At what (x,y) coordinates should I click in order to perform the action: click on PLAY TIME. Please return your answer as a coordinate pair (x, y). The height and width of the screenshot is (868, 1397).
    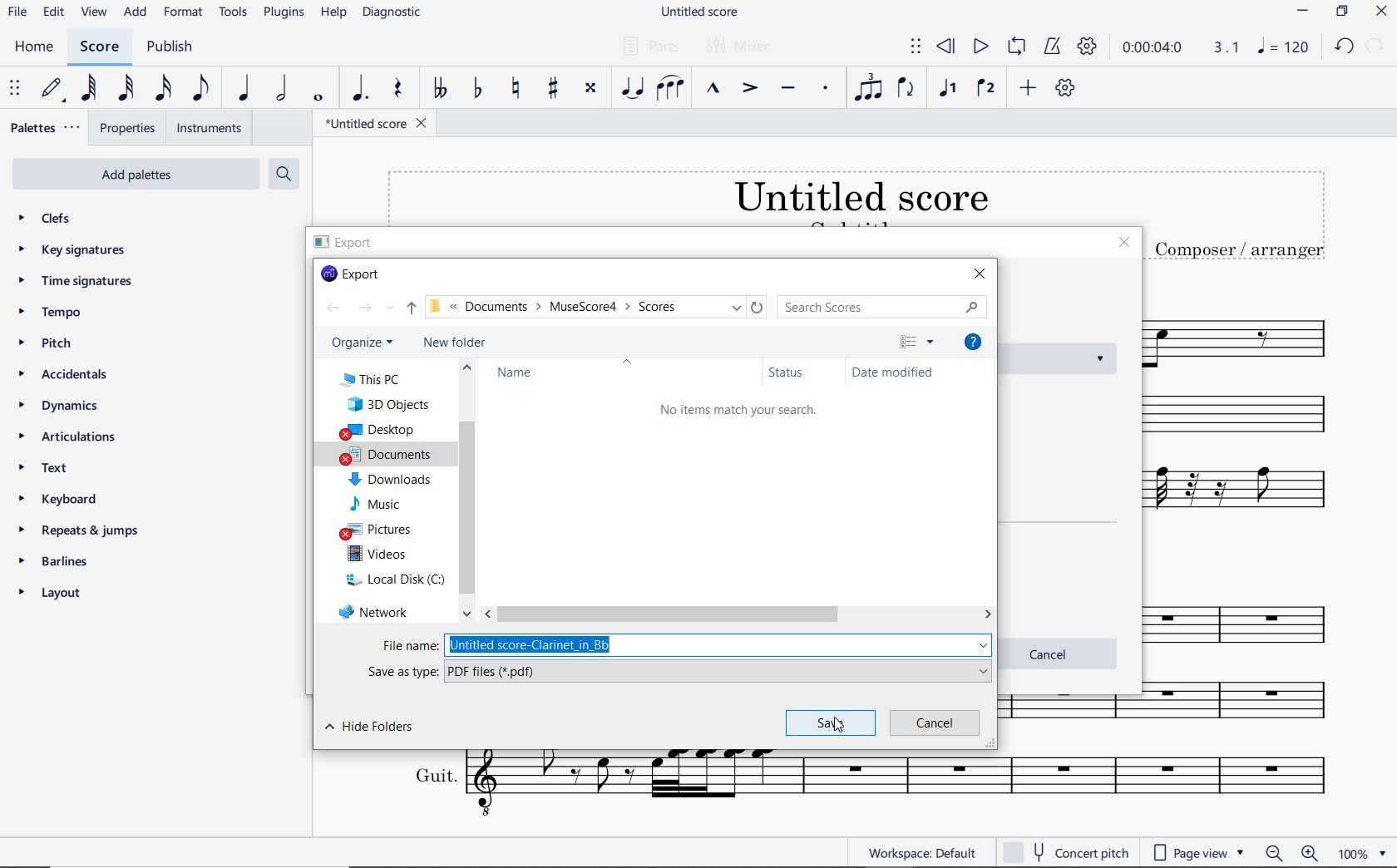
    Looking at the image, I should click on (1181, 48).